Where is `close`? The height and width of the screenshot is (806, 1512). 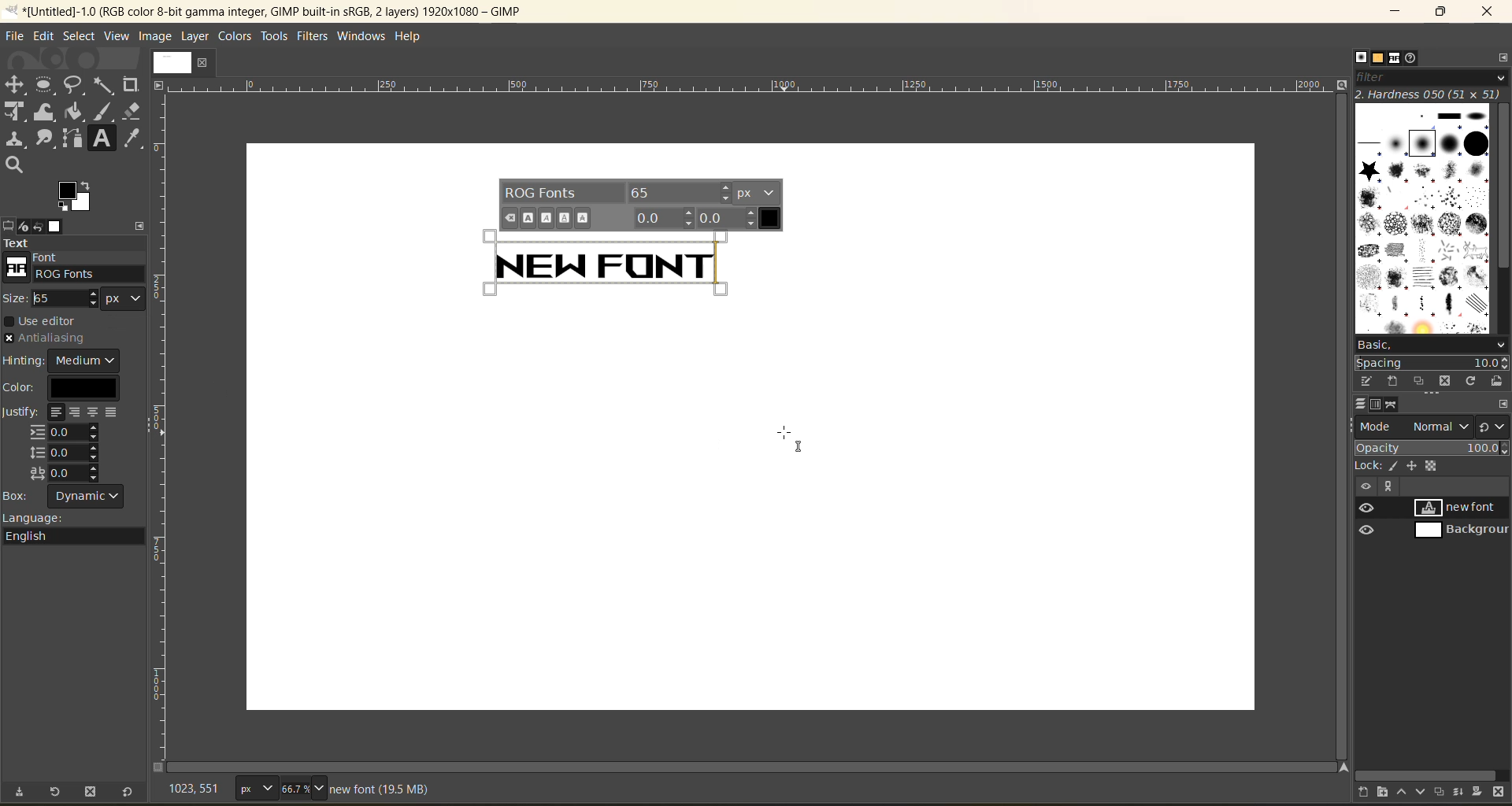 close is located at coordinates (1492, 12).